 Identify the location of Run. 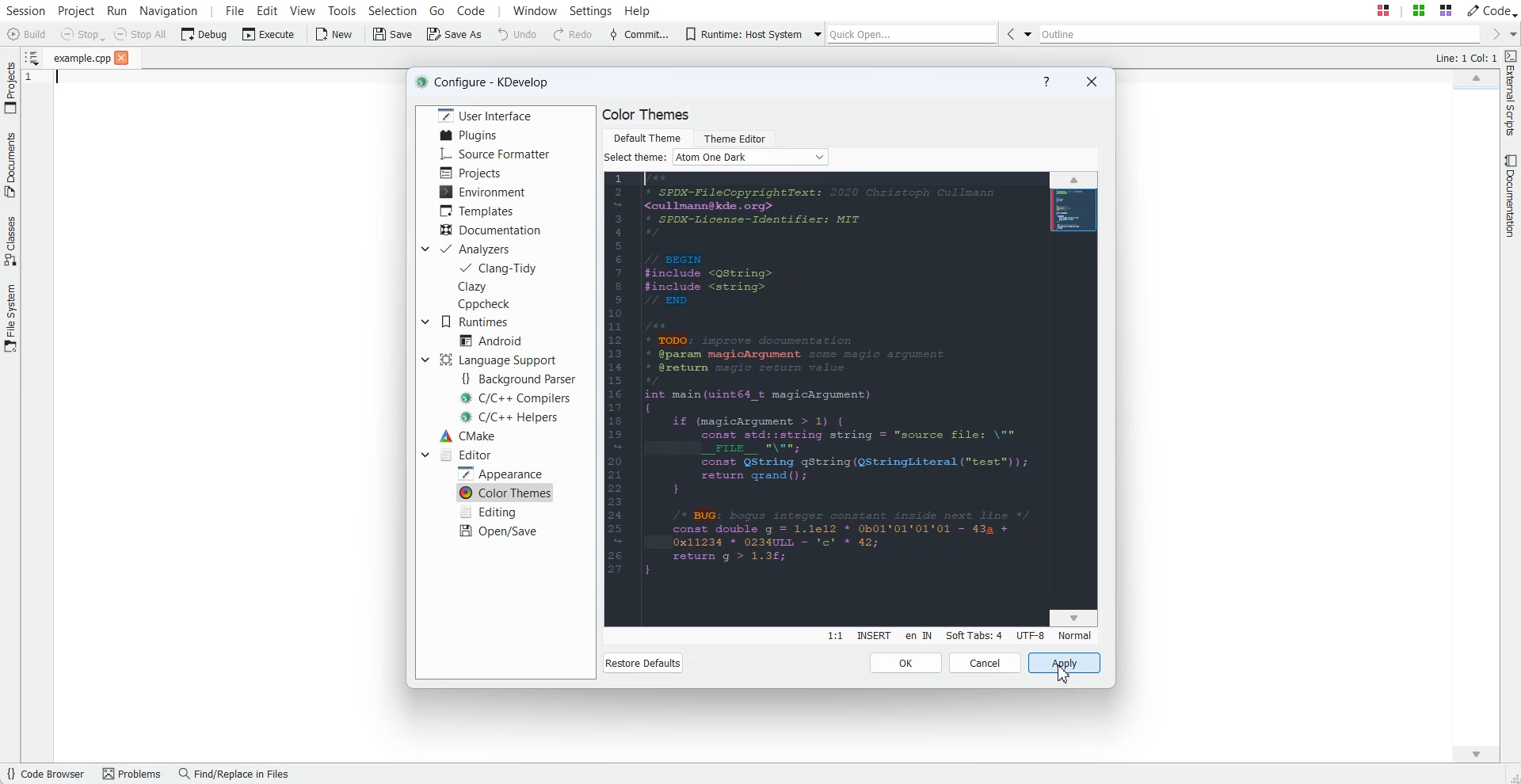
(117, 10).